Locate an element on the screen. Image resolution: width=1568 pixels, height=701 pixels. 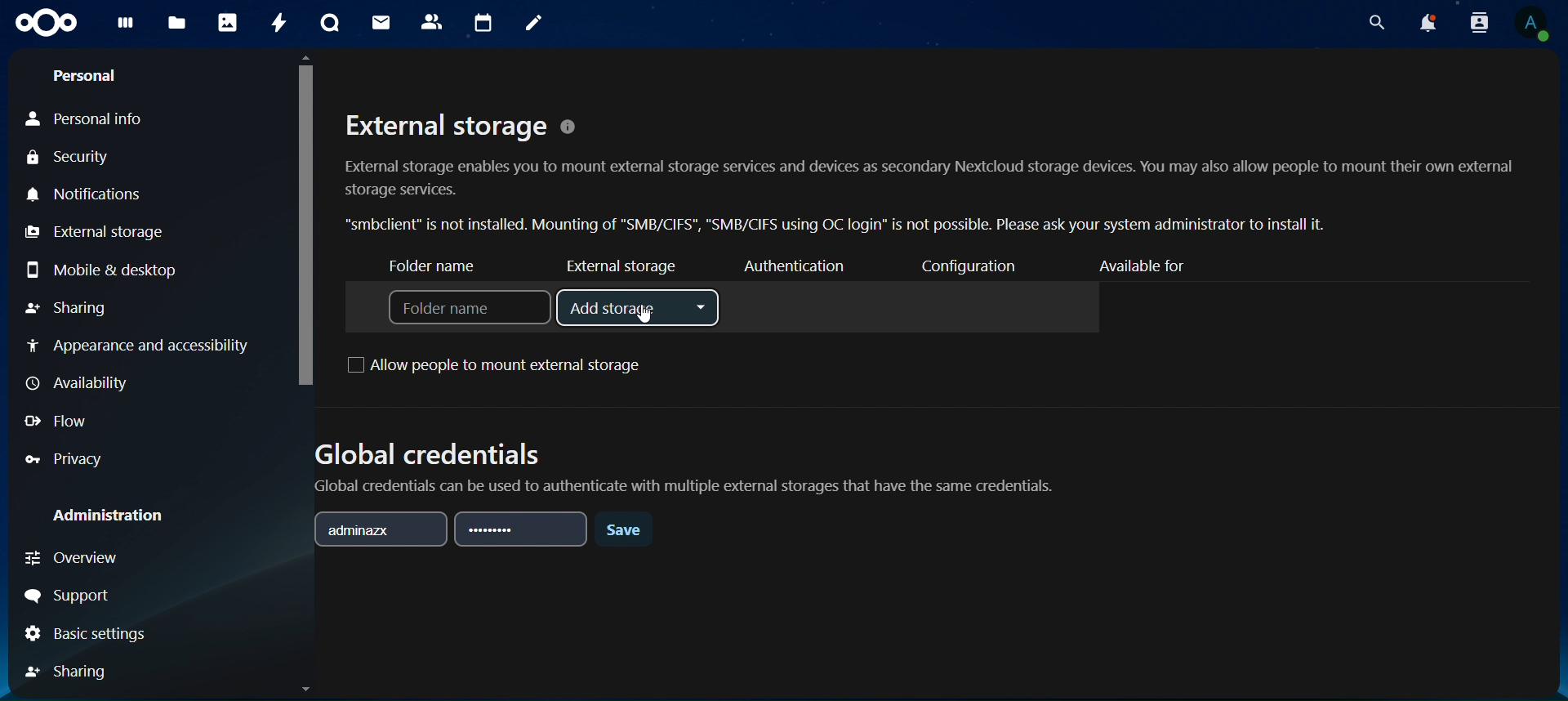
Global credentials
Global credentials can be used to authenticate with multiple external storages that have the same credentials. is located at coordinates (688, 462).